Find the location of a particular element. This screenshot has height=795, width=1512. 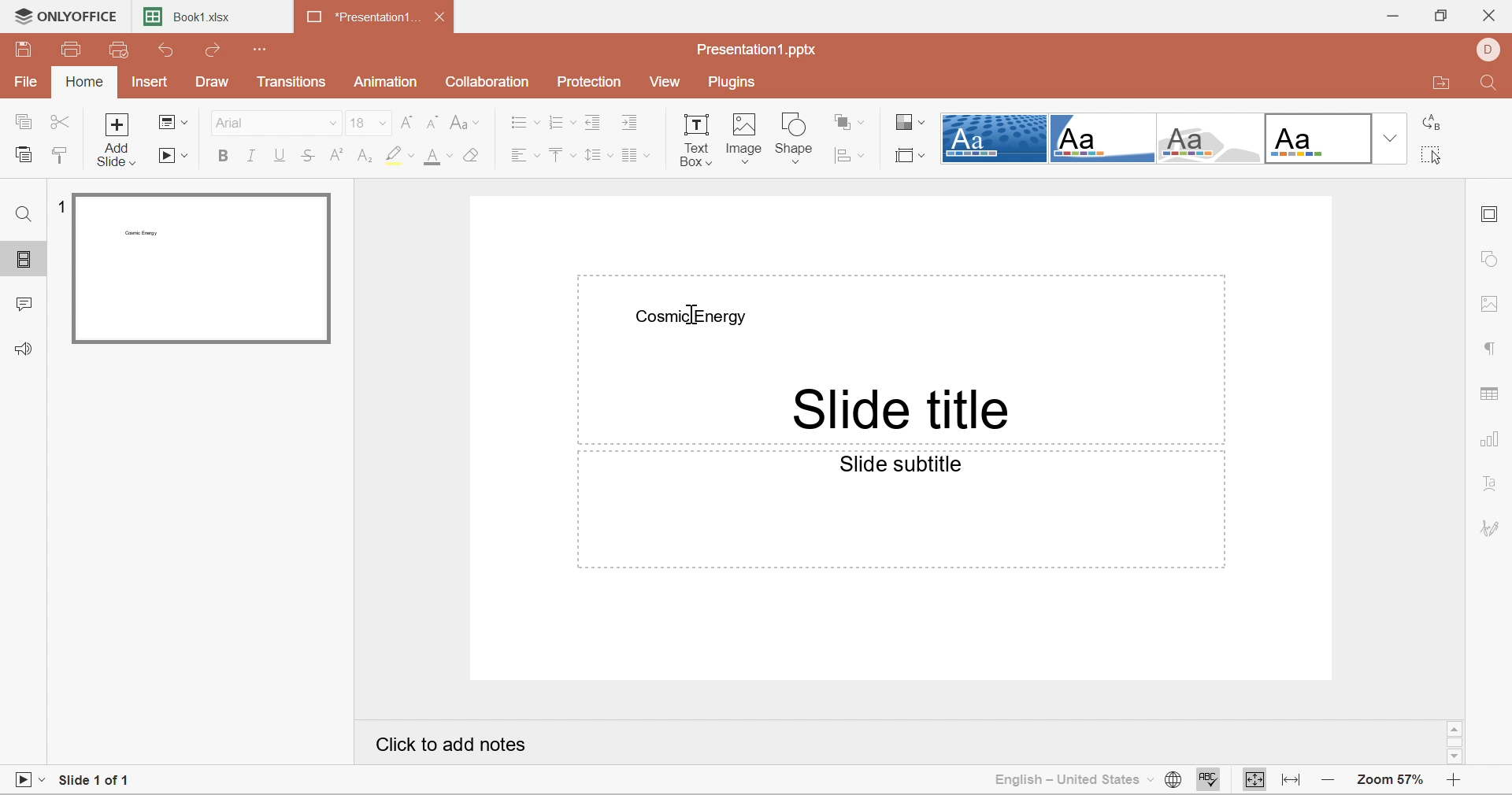

Subscript is located at coordinates (366, 157).